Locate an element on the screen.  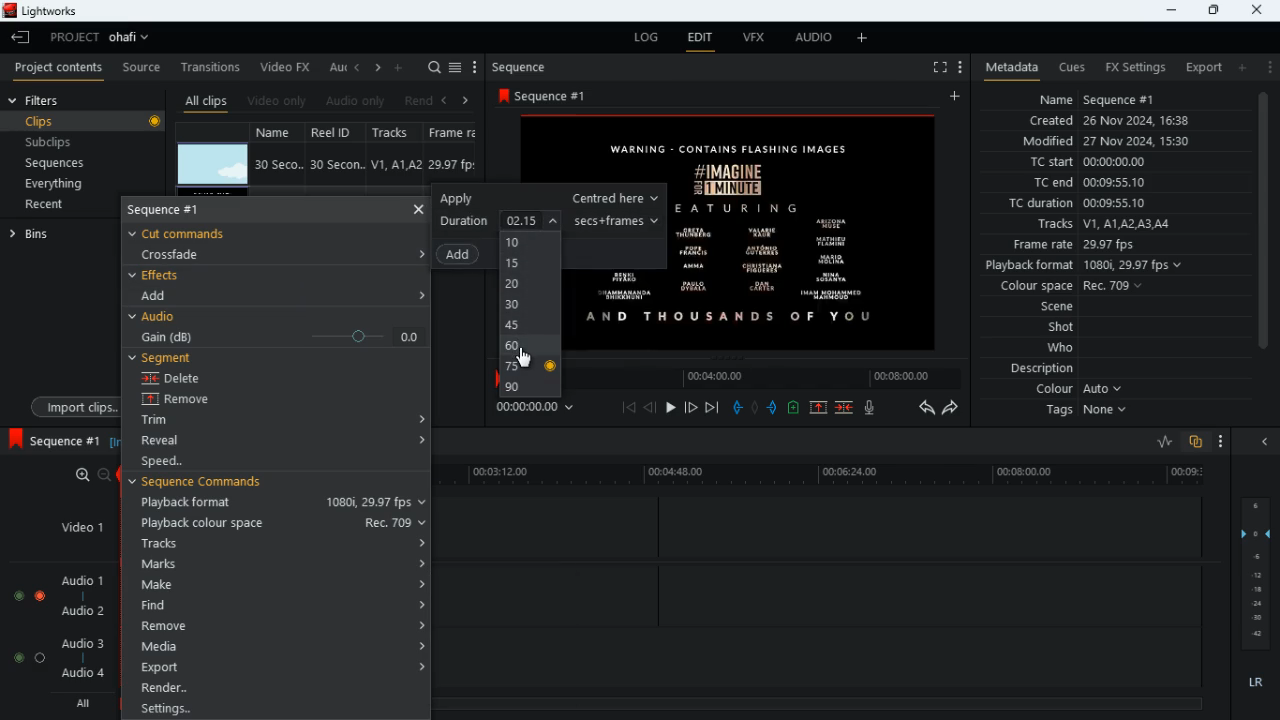
leave is located at coordinates (22, 37).